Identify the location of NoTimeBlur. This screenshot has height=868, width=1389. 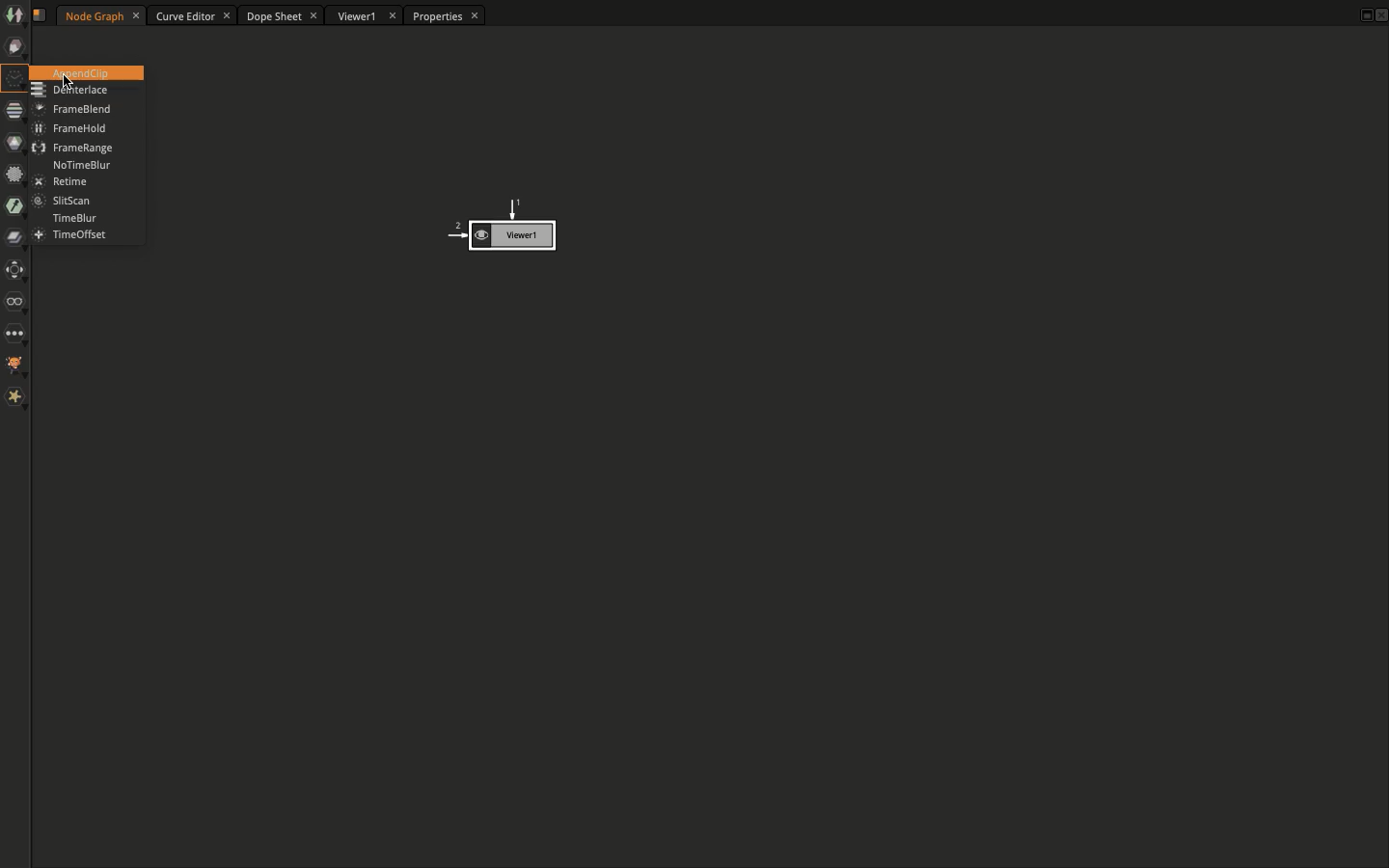
(79, 165).